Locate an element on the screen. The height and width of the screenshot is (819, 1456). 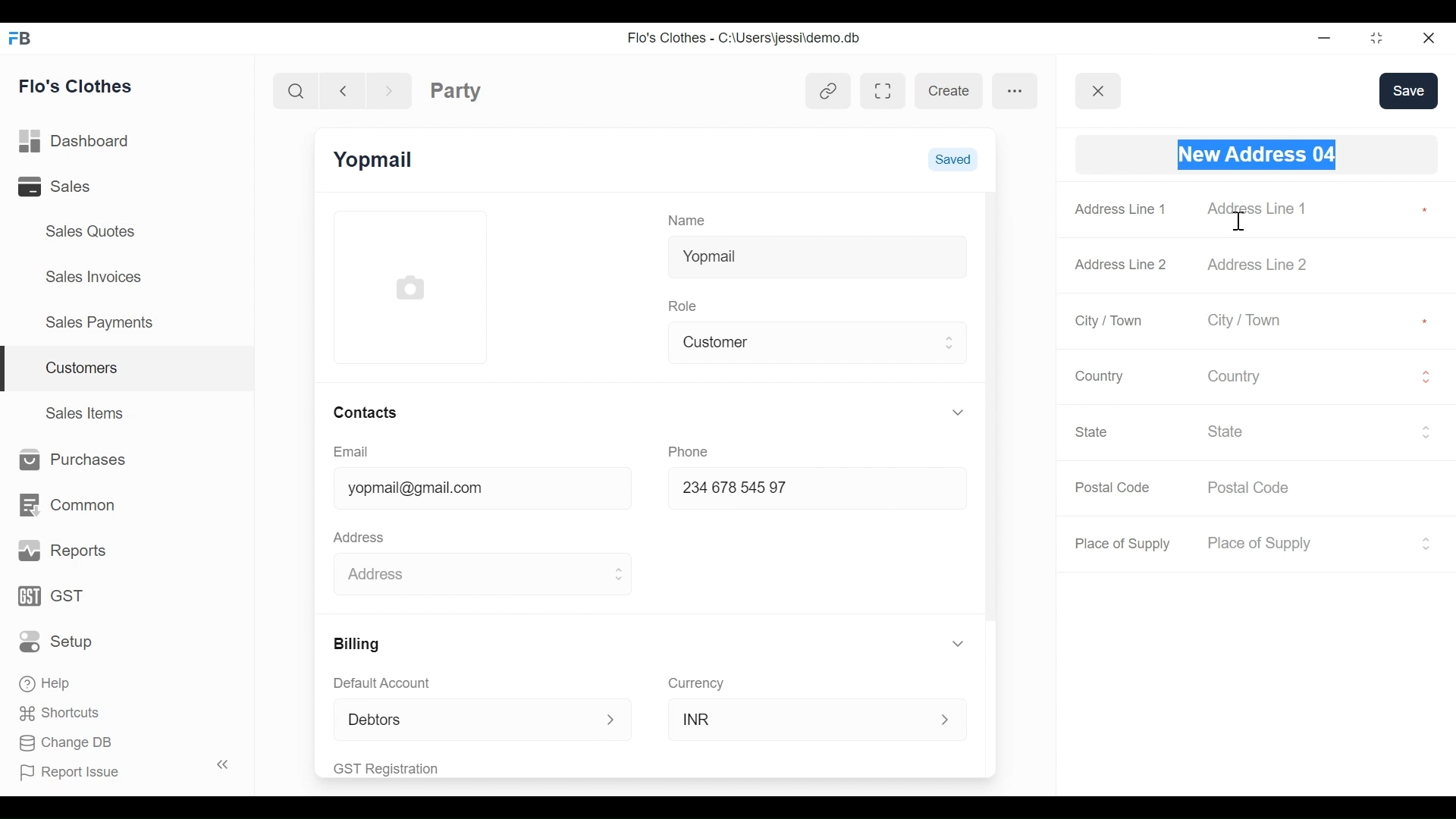
Saved is located at coordinates (952, 158).